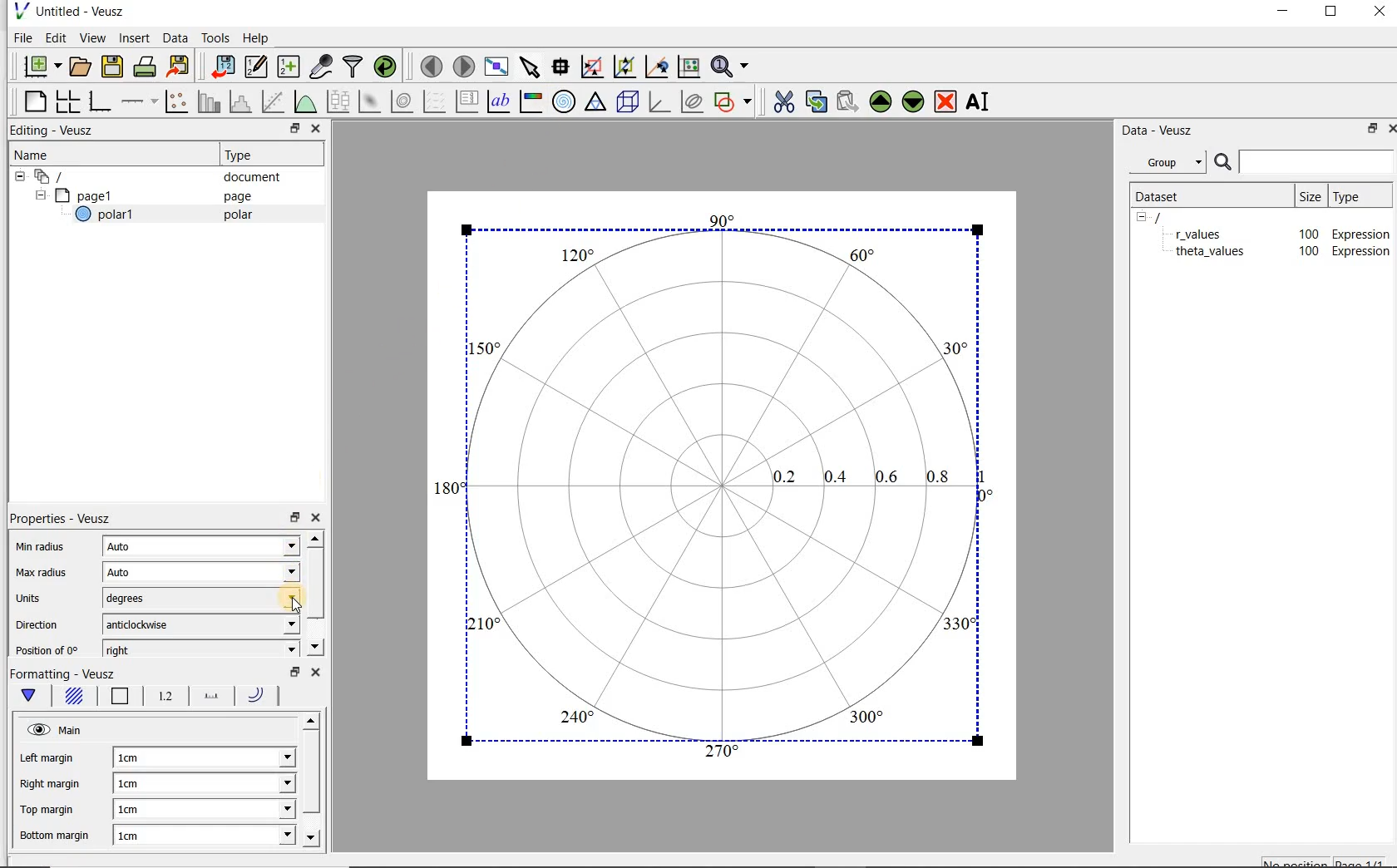  I want to click on image color bar, so click(531, 101).